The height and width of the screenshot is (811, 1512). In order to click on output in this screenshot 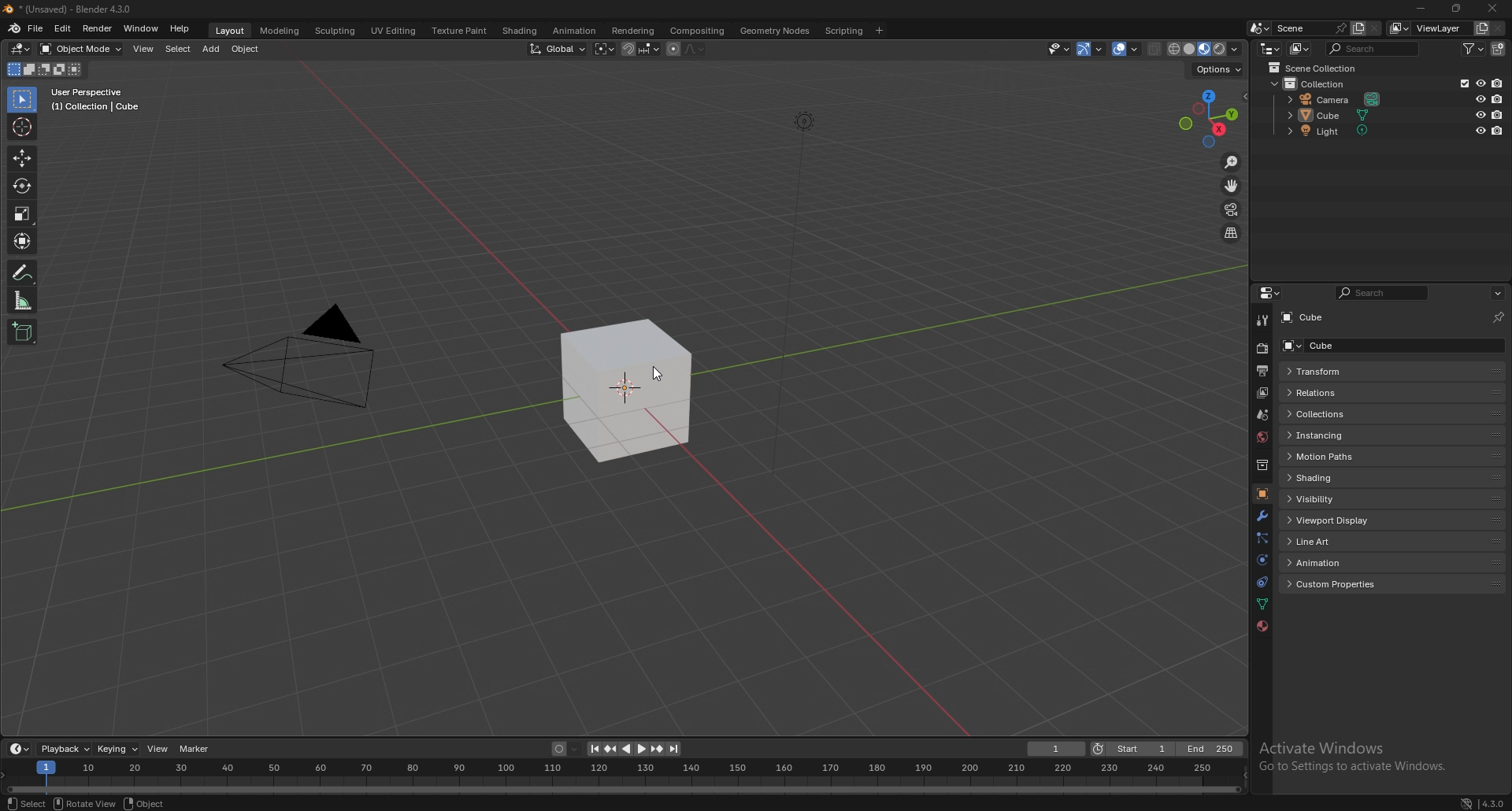, I will do `click(1261, 371)`.